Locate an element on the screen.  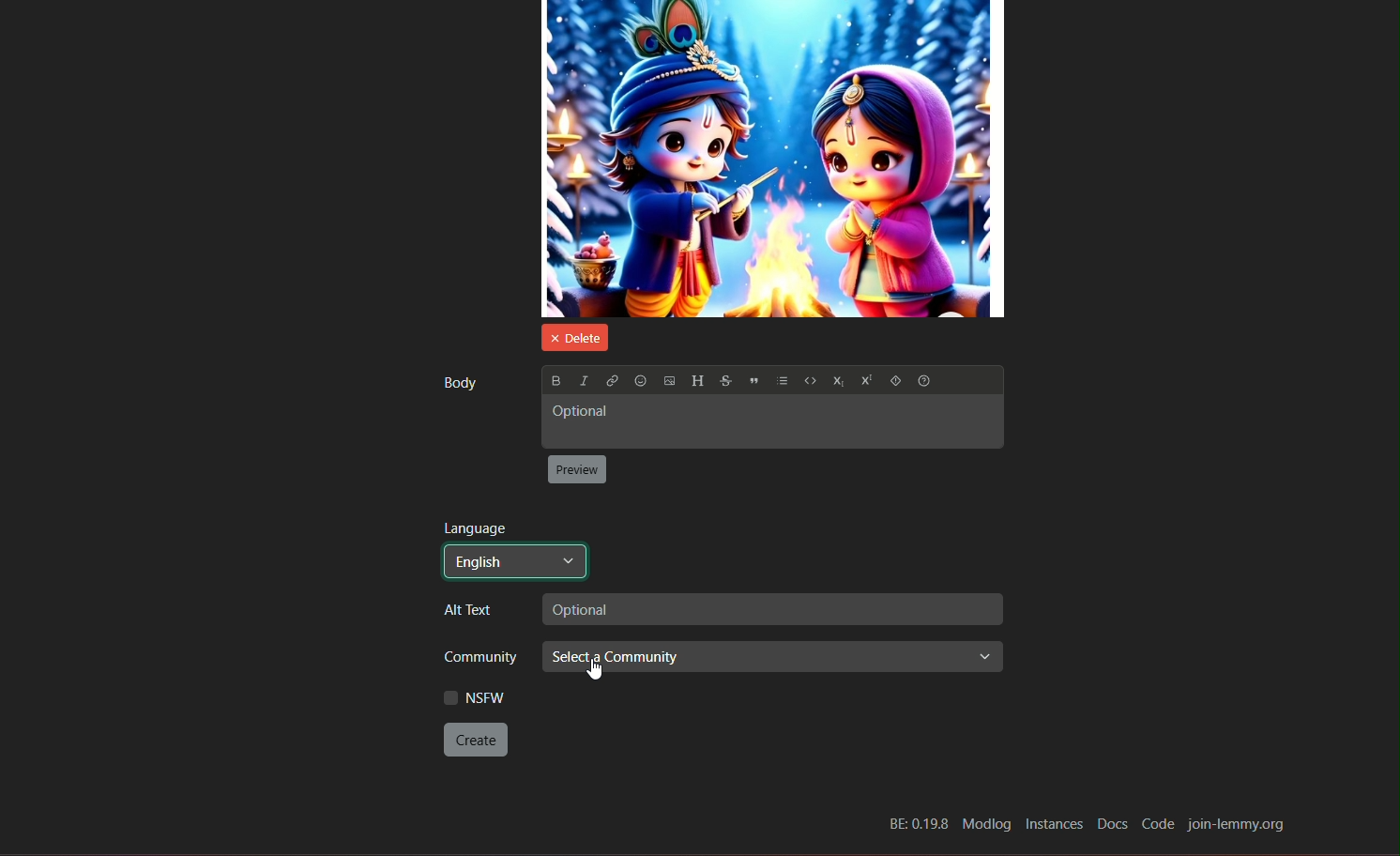
quote is located at coordinates (754, 383).